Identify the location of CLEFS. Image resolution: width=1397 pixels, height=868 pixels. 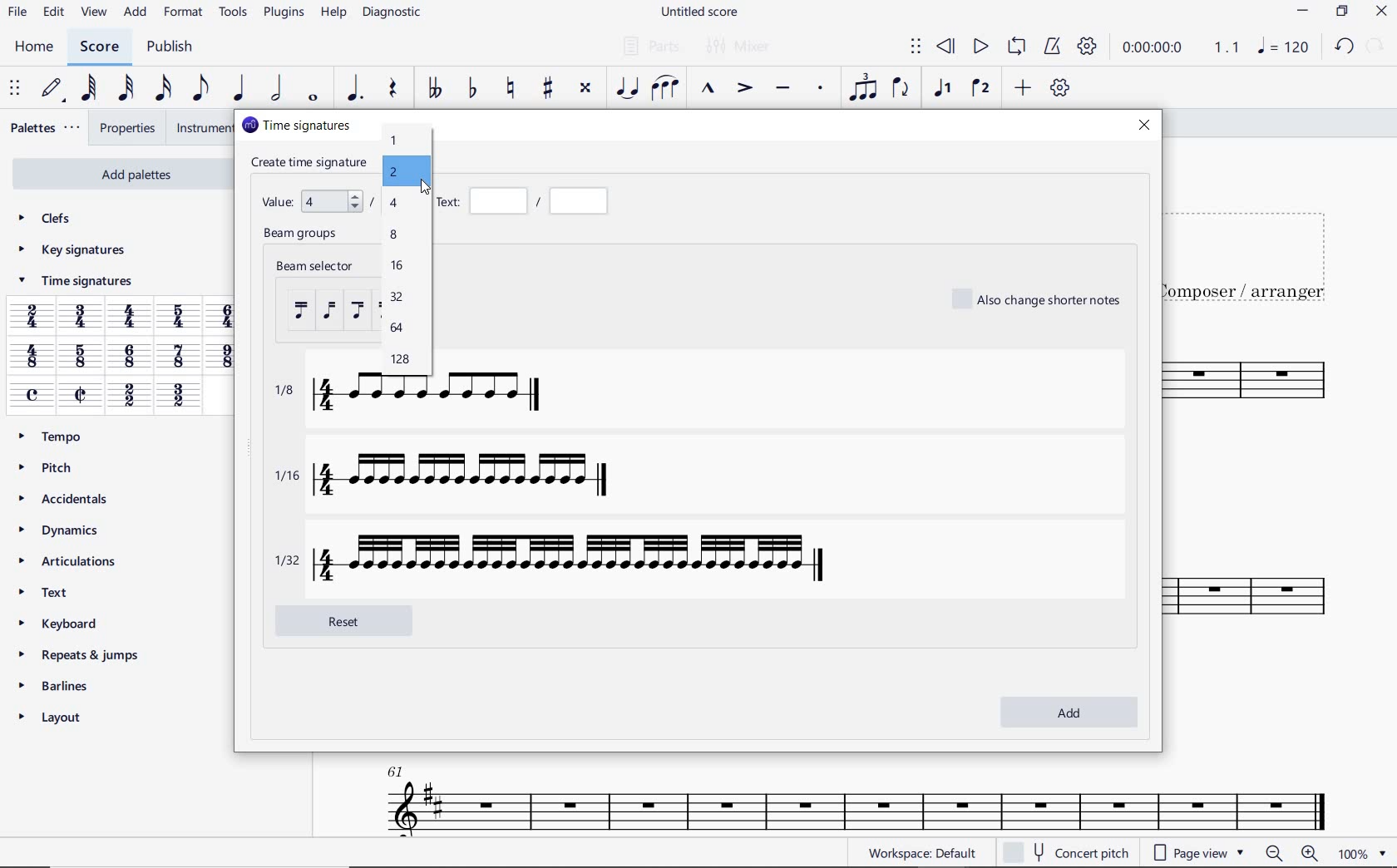
(47, 220).